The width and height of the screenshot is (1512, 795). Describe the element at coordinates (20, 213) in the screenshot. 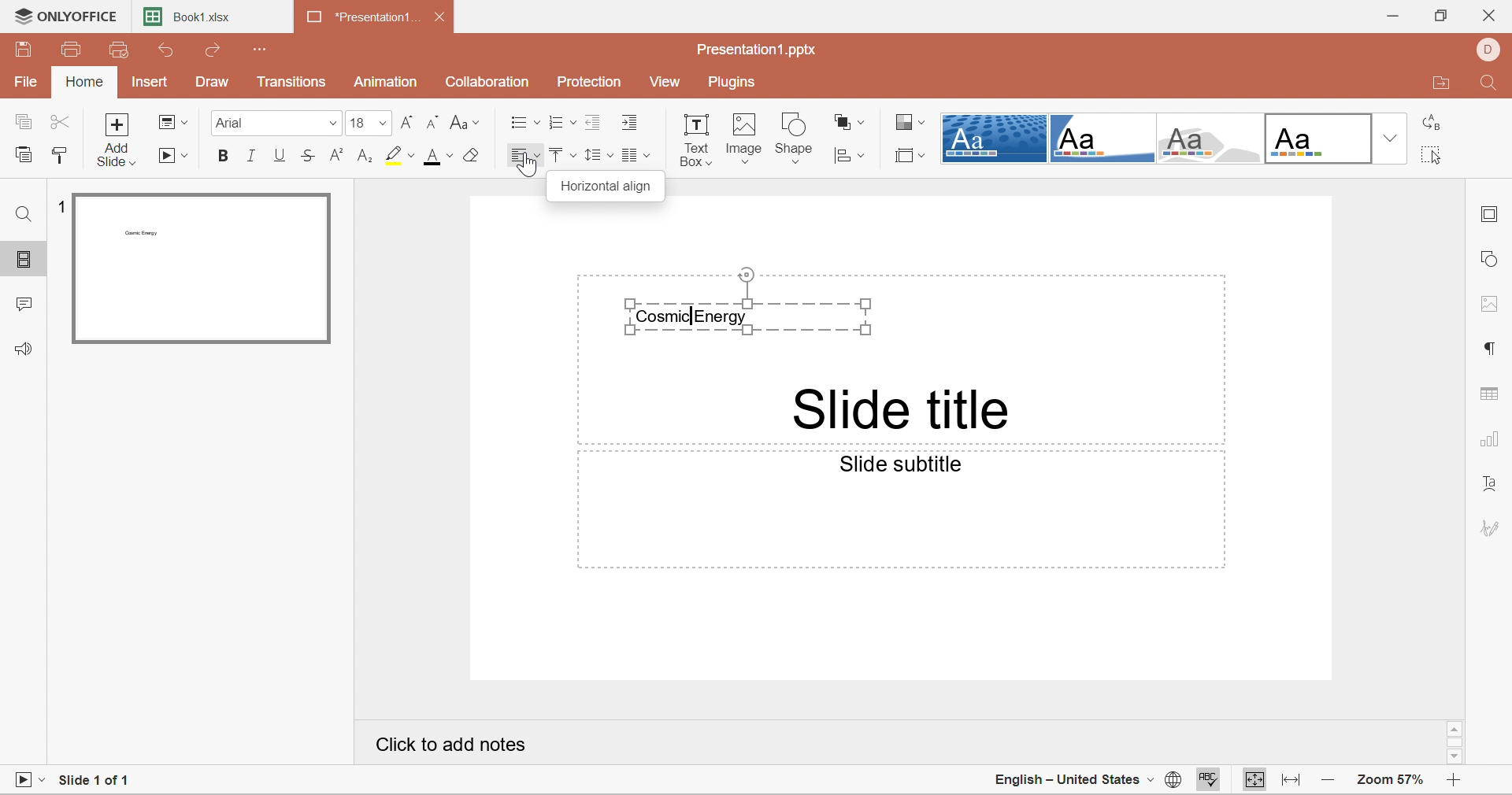

I see `Find` at that location.